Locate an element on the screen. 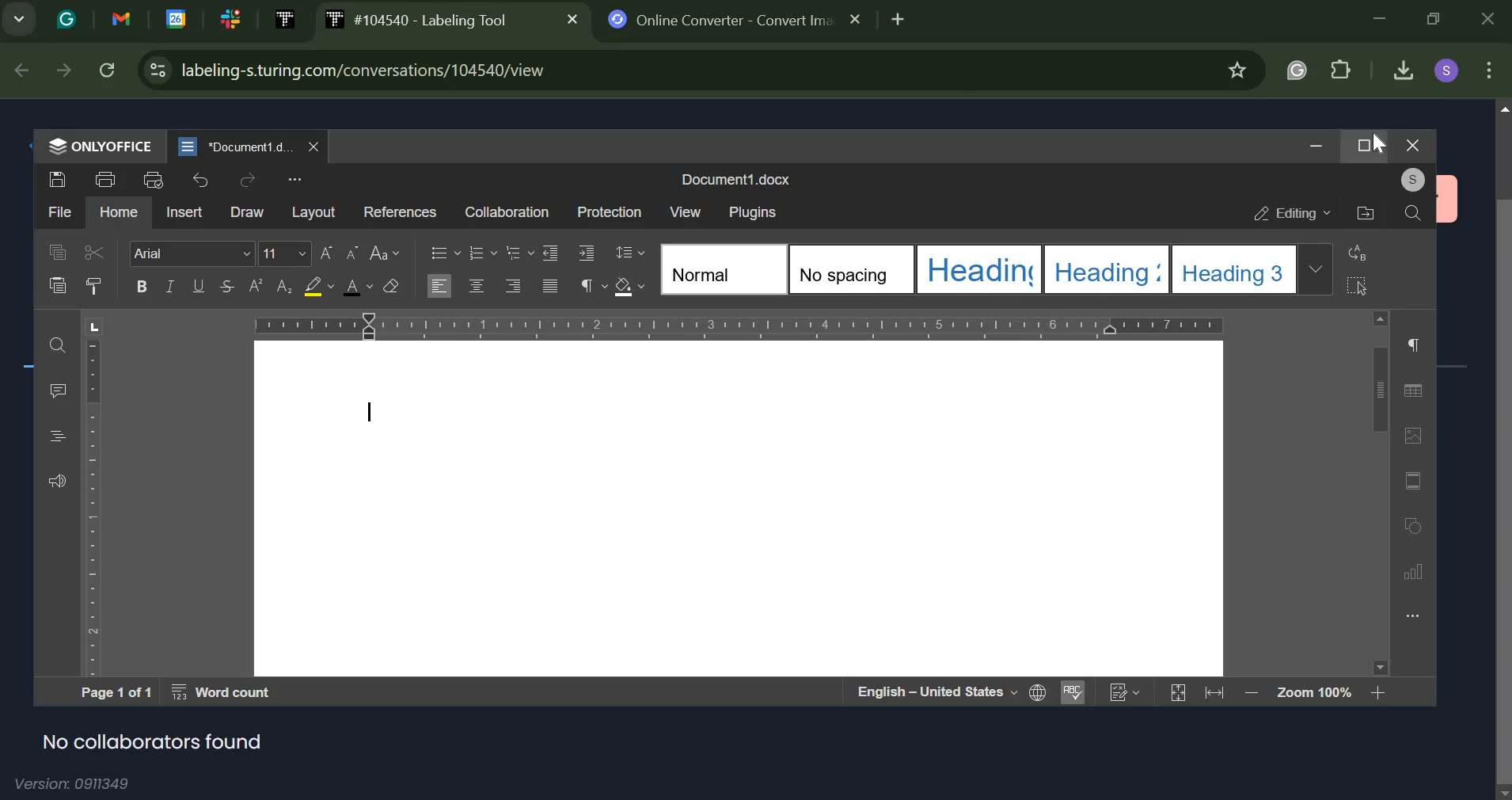 The height and width of the screenshot is (800, 1512). decrease indent is located at coordinates (549, 252).